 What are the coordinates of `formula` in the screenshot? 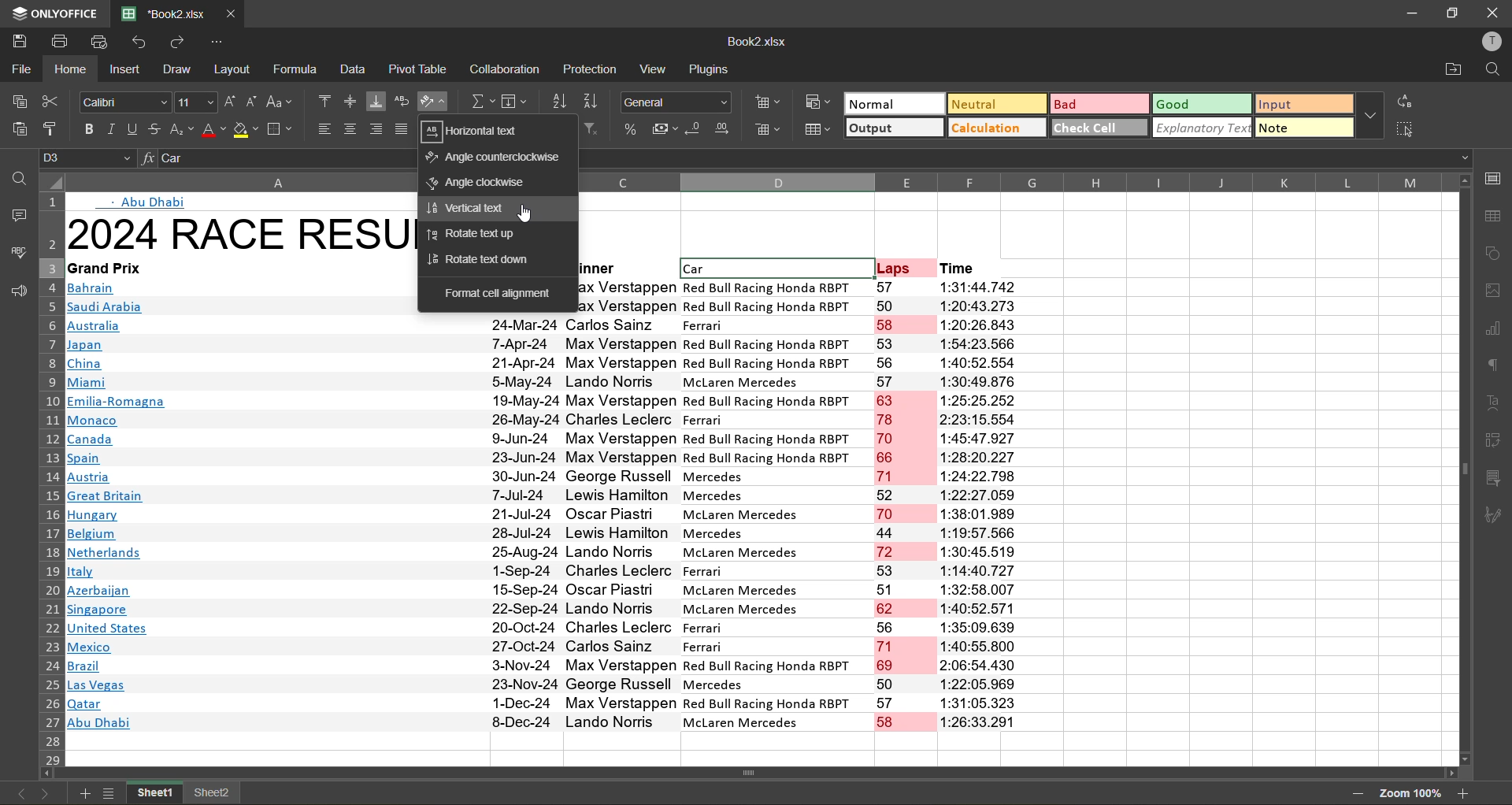 It's located at (296, 71).